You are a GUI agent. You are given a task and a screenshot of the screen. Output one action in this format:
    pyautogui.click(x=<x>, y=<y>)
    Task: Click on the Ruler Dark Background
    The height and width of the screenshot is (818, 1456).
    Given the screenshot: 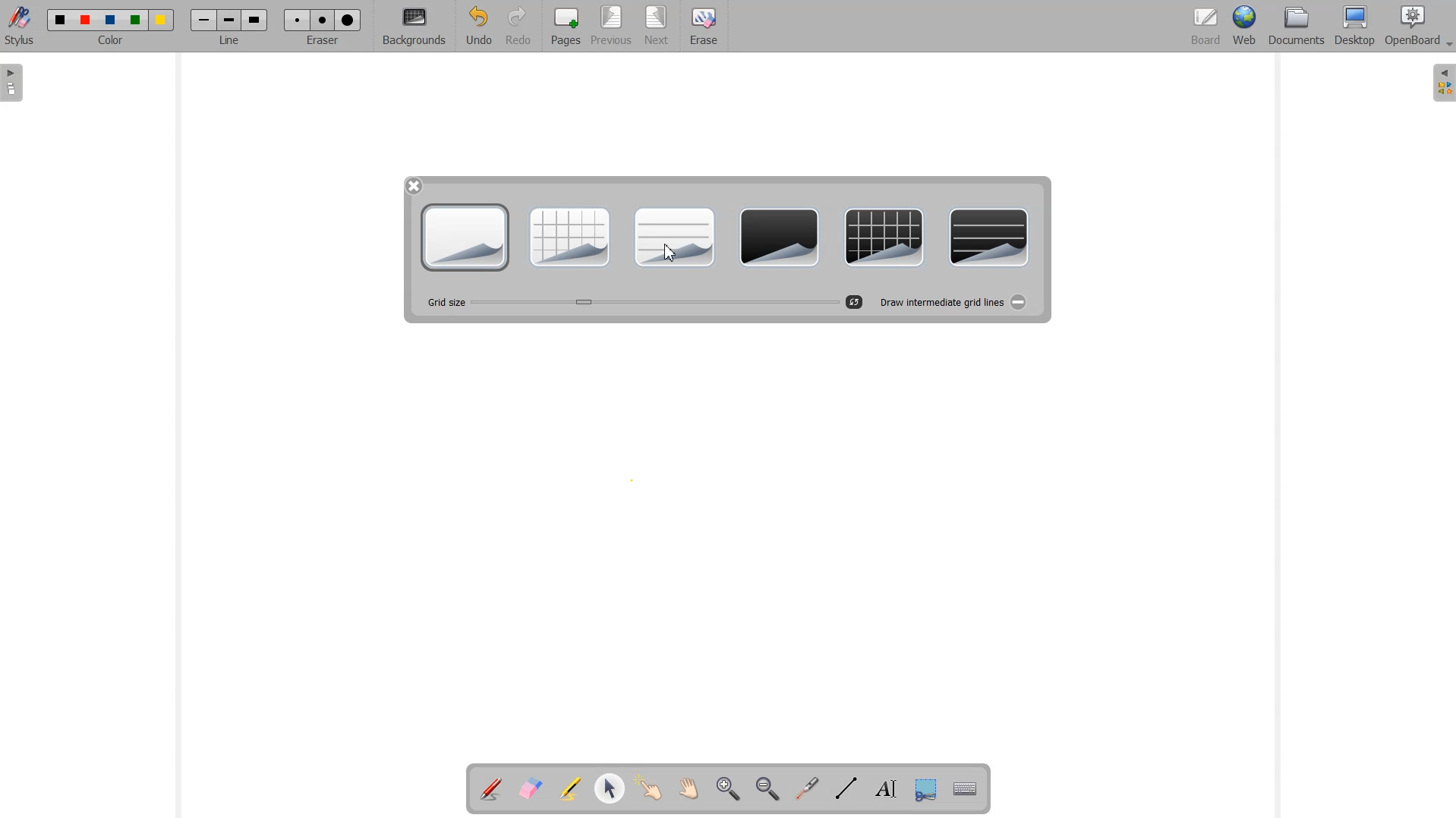 What is the action you would take?
    pyautogui.click(x=988, y=239)
    